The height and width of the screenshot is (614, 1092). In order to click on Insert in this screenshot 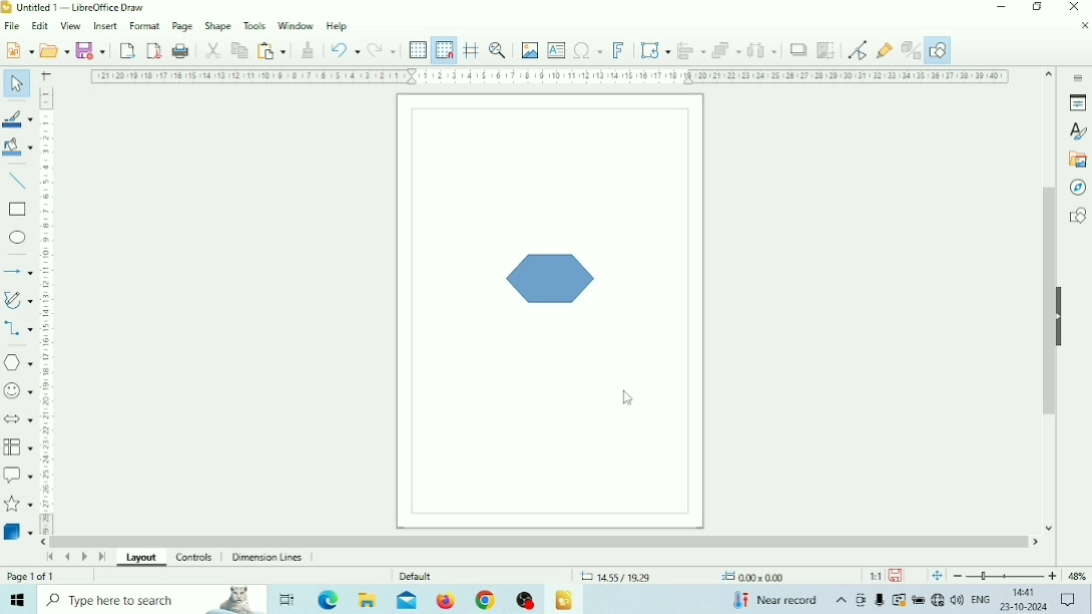, I will do `click(106, 25)`.